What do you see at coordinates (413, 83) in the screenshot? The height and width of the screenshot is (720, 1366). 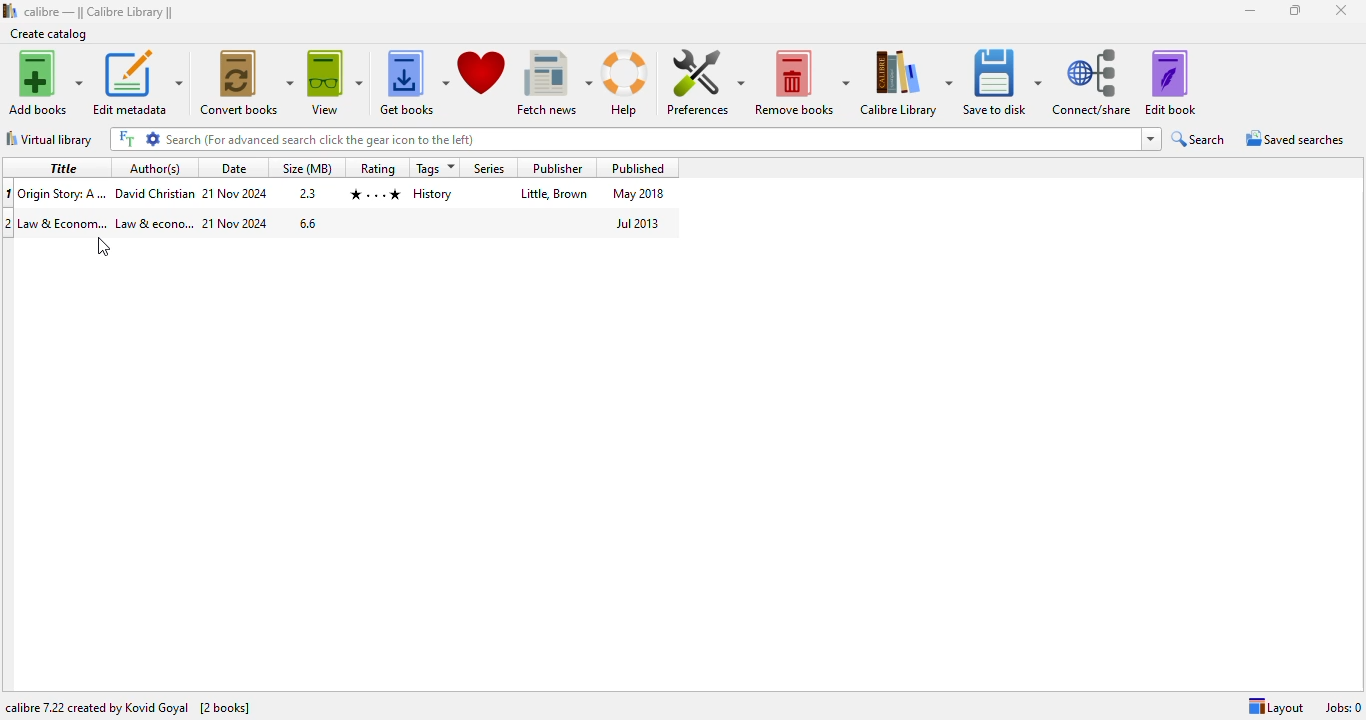 I see `get books` at bounding box center [413, 83].